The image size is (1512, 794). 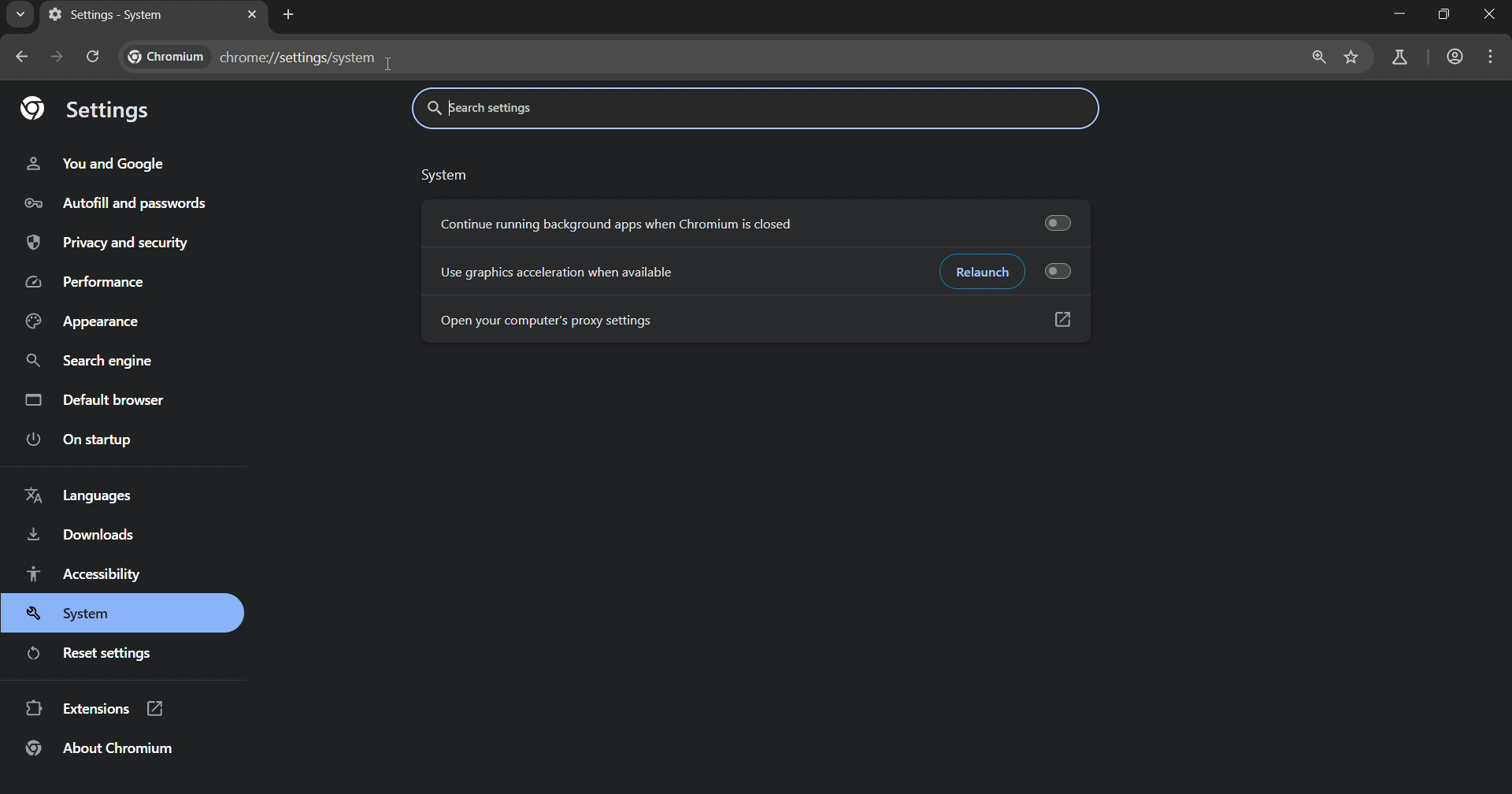 What do you see at coordinates (57, 58) in the screenshot?
I see `go forward one page` at bounding box center [57, 58].